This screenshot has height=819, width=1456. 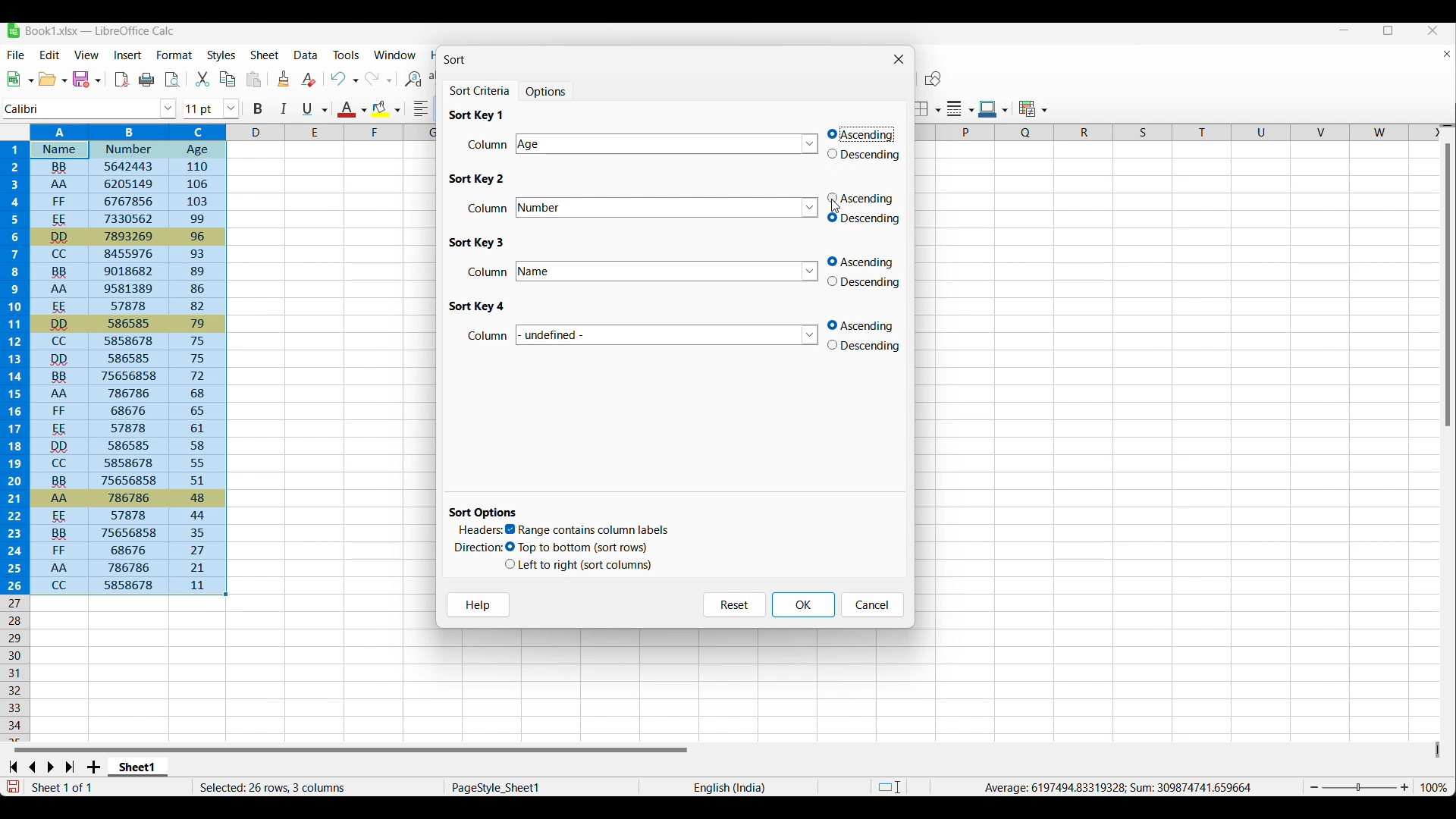 What do you see at coordinates (86, 79) in the screenshot?
I see `Save options` at bounding box center [86, 79].